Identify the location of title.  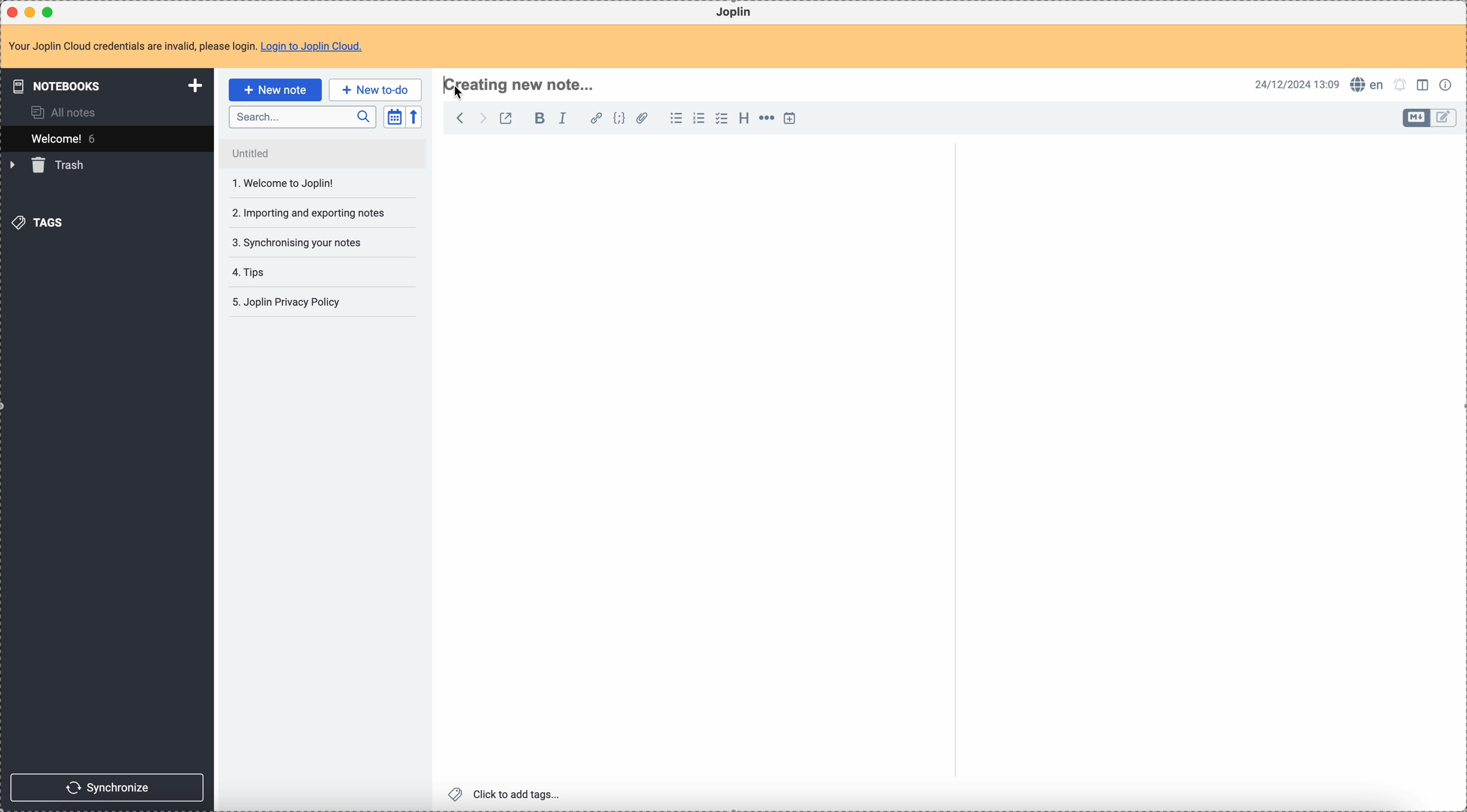
(524, 85).